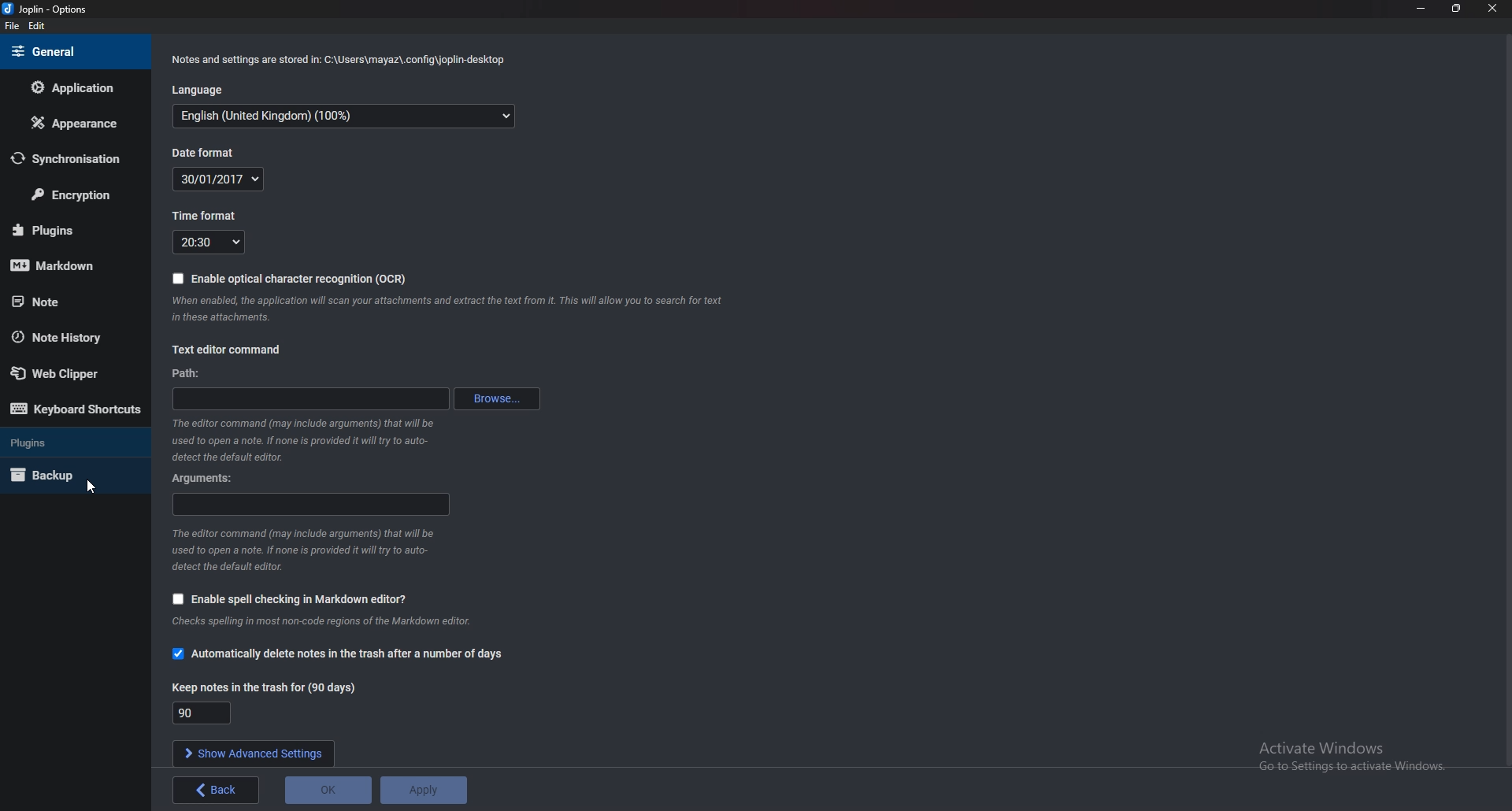 The image size is (1512, 811). I want to click on Info on ocr, so click(462, 306).